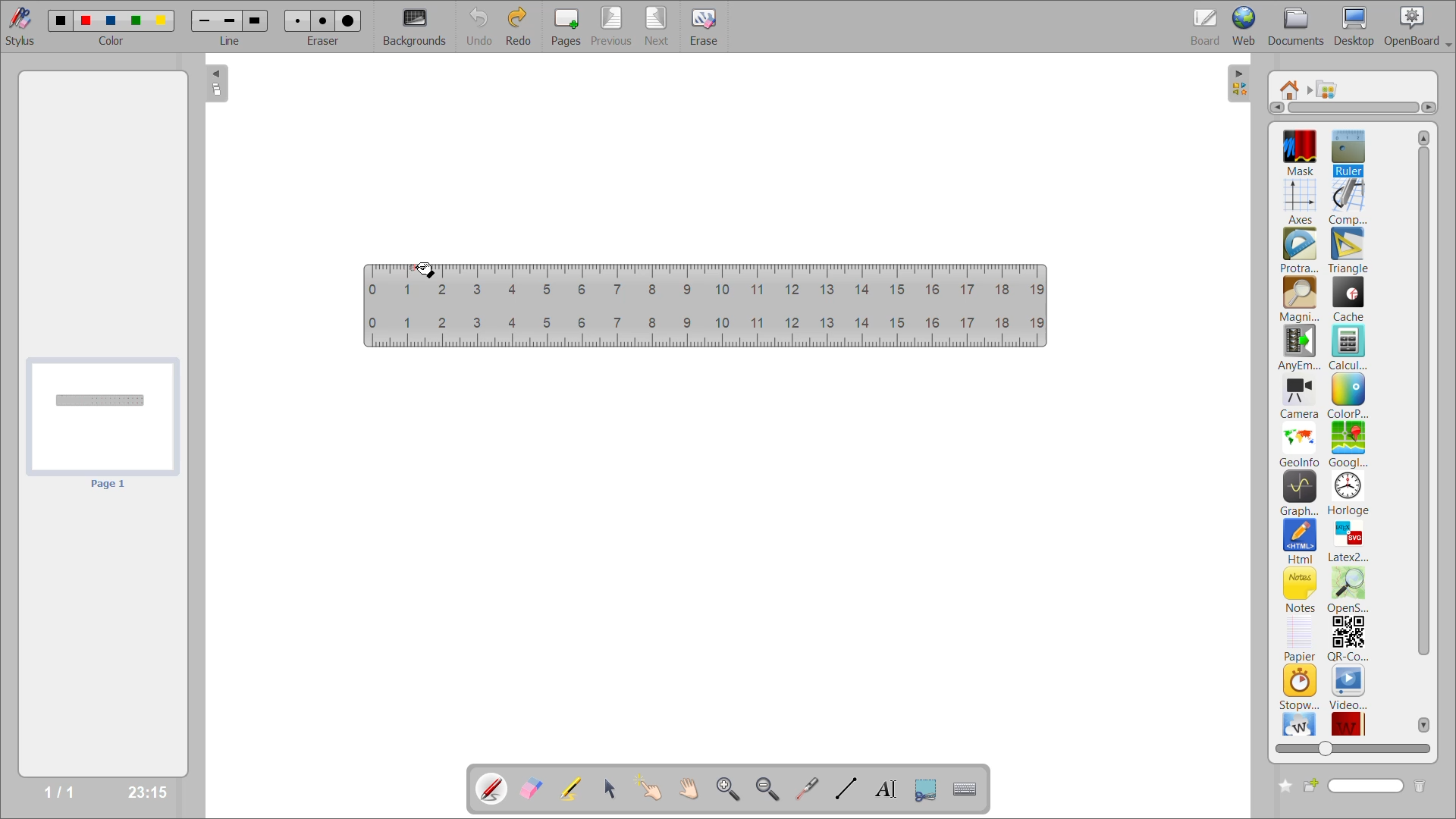 The width and height of the screenshot is (1456, 819). Describe the element at coordinates (1304, 152) in the screenshot. I see `mask` at that location.